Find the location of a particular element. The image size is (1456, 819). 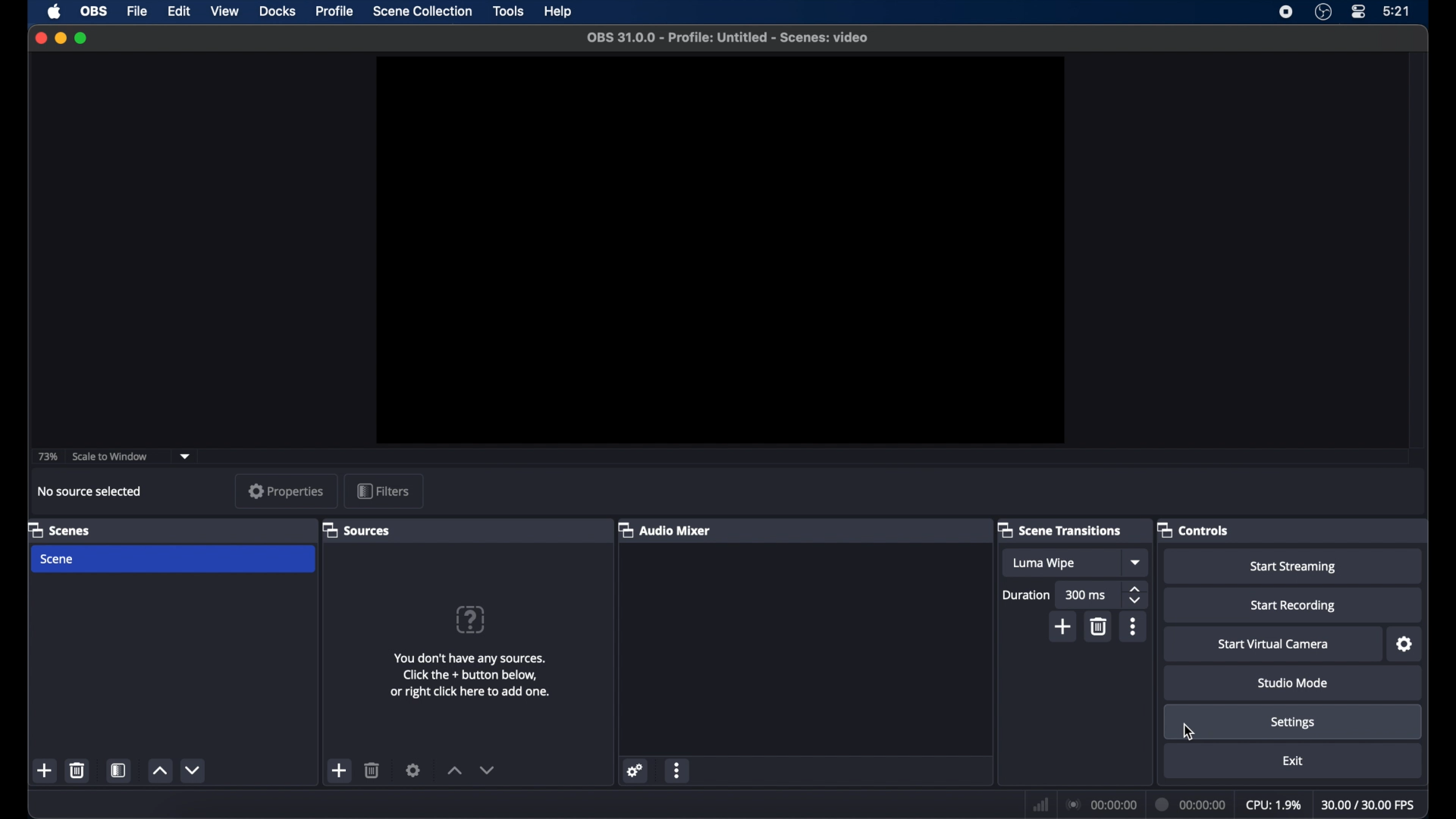

scenes is located at coordinates (61, 531).